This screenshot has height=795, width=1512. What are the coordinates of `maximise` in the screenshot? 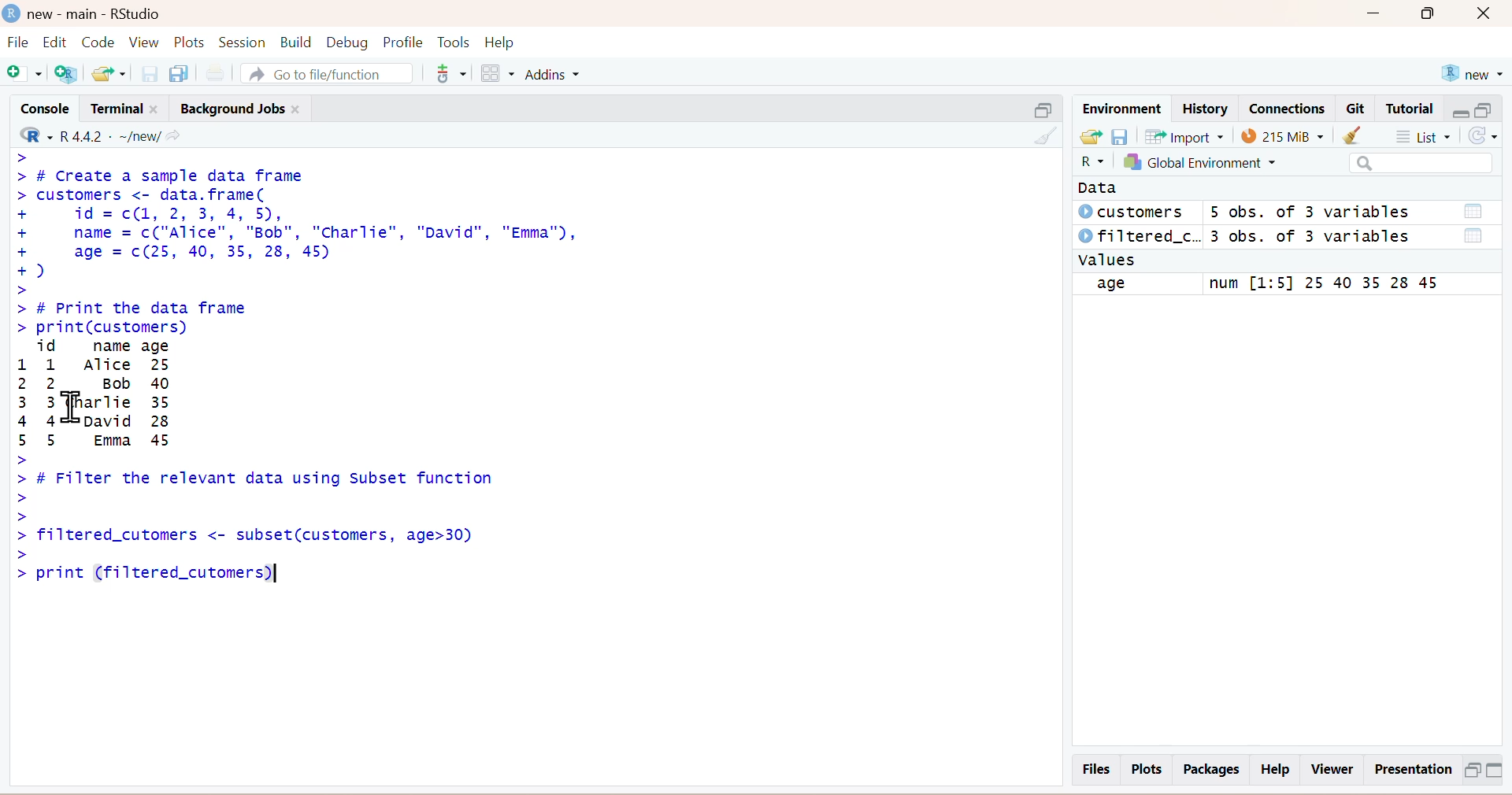 It's located at (1486, 109).